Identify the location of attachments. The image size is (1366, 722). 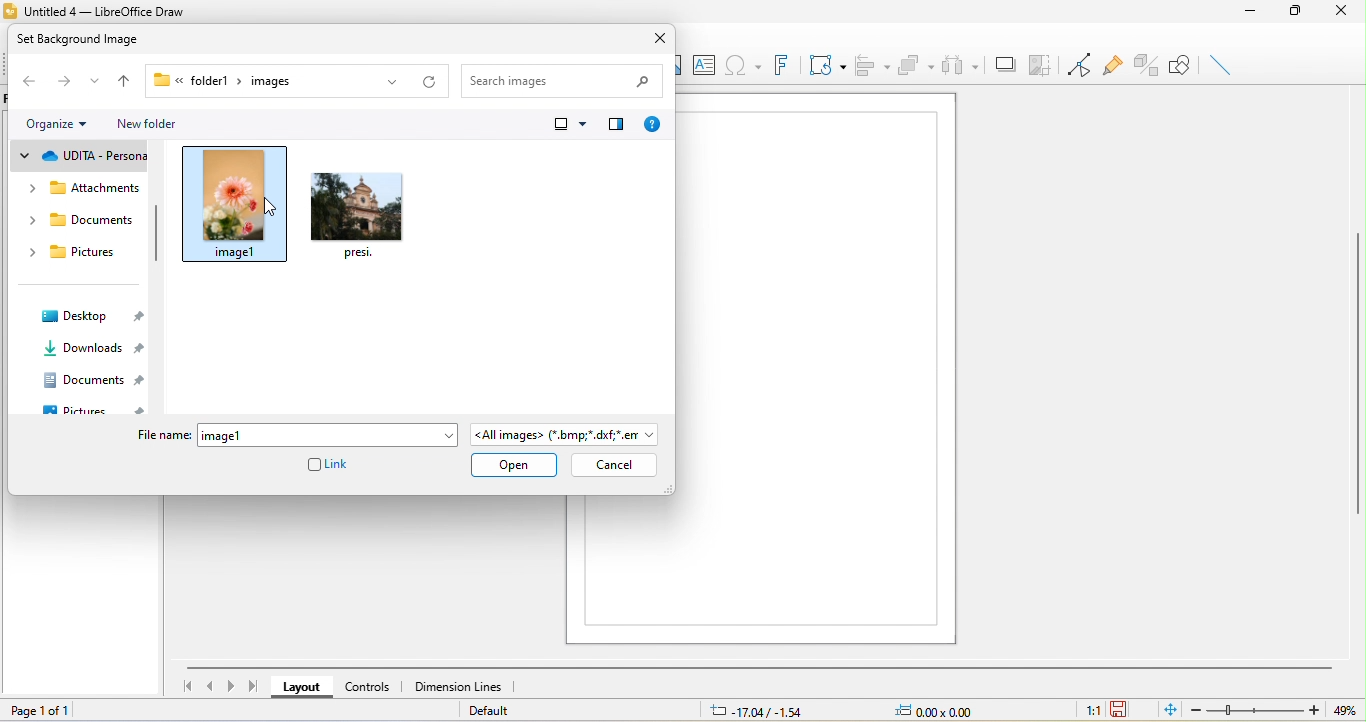
(83, 192).